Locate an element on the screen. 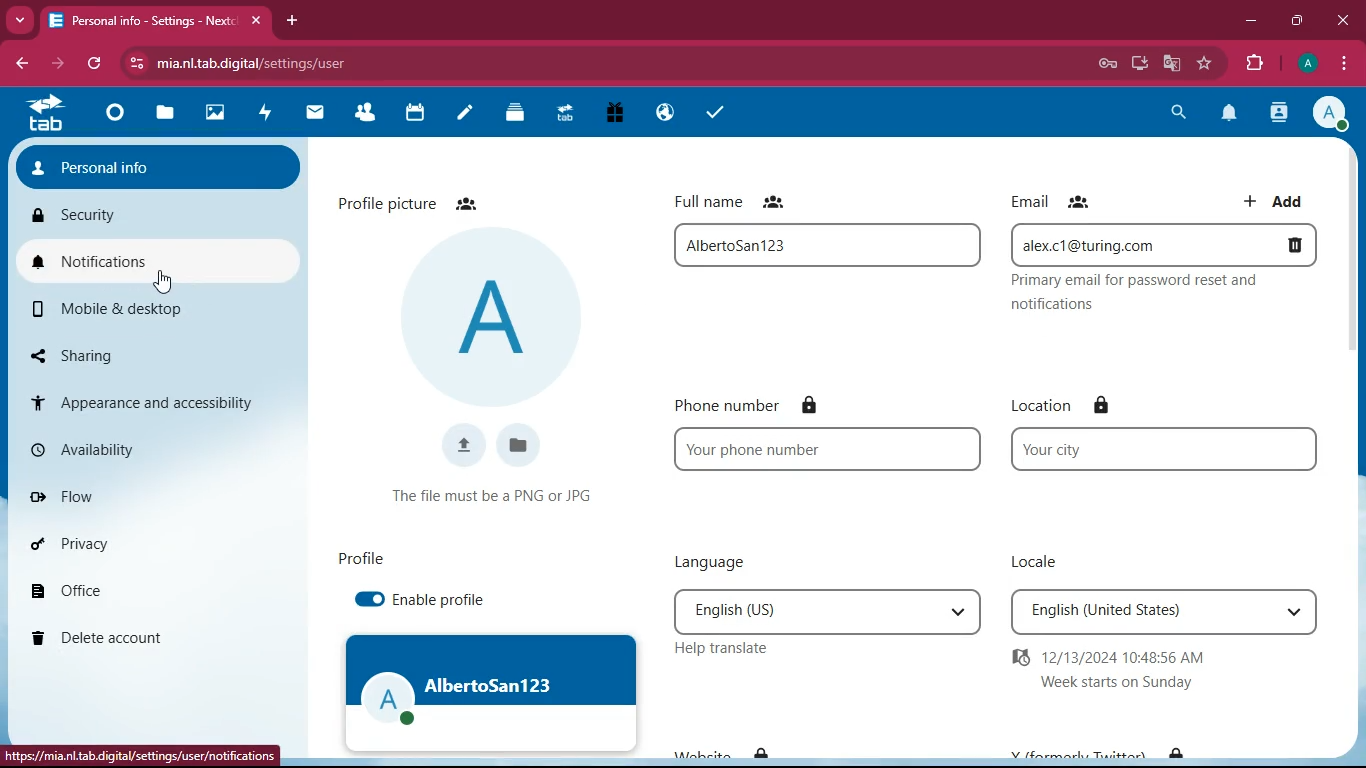 This screenshot has height=768, width=1366. upload is located at coordinates (466, 445).